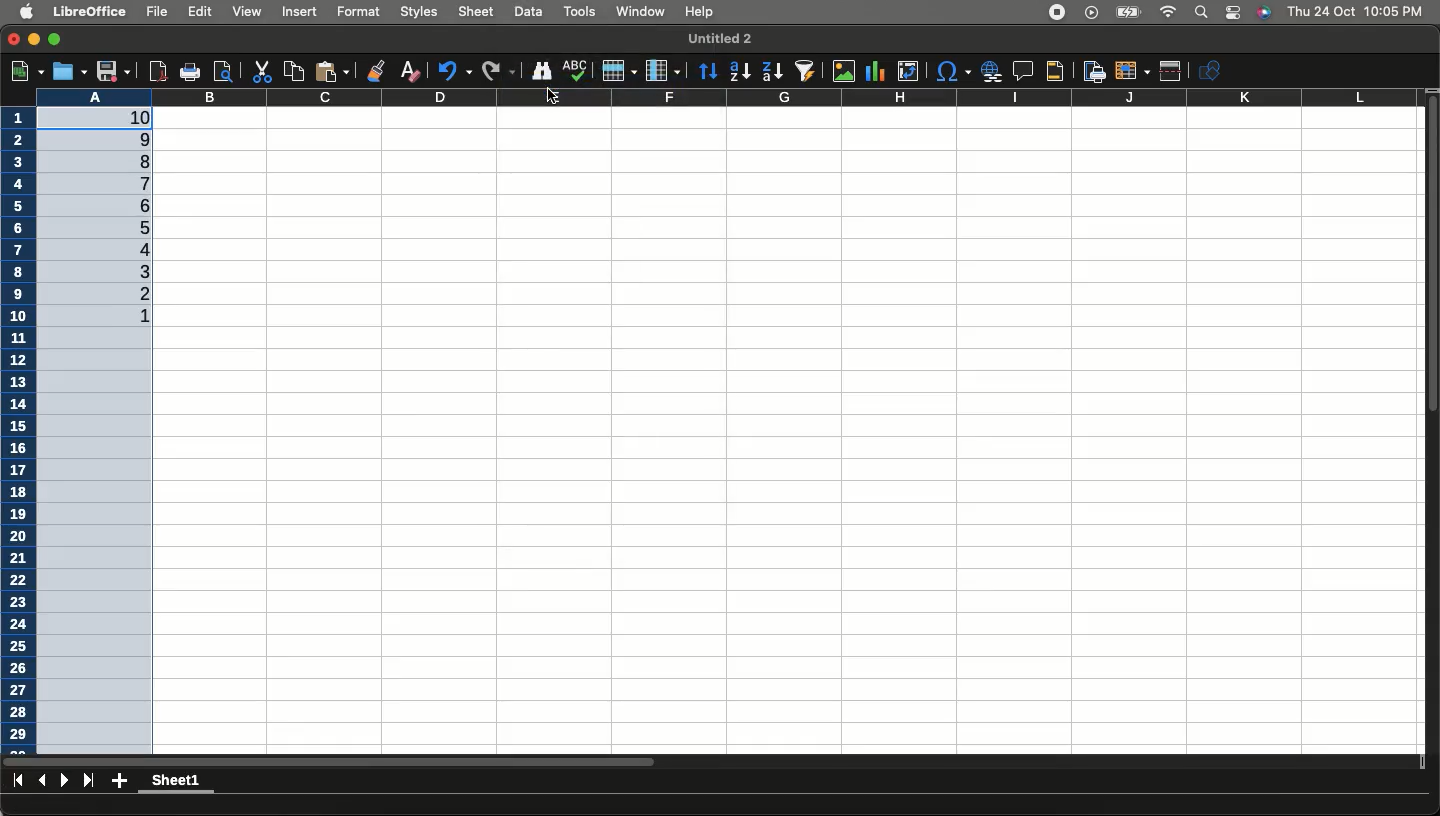 The height and width of the screenshot is (816, 1440). What do you see at coordinates (542, 71) in the screenshot?
I see `Find and replace` at bounding box center [542, 71].